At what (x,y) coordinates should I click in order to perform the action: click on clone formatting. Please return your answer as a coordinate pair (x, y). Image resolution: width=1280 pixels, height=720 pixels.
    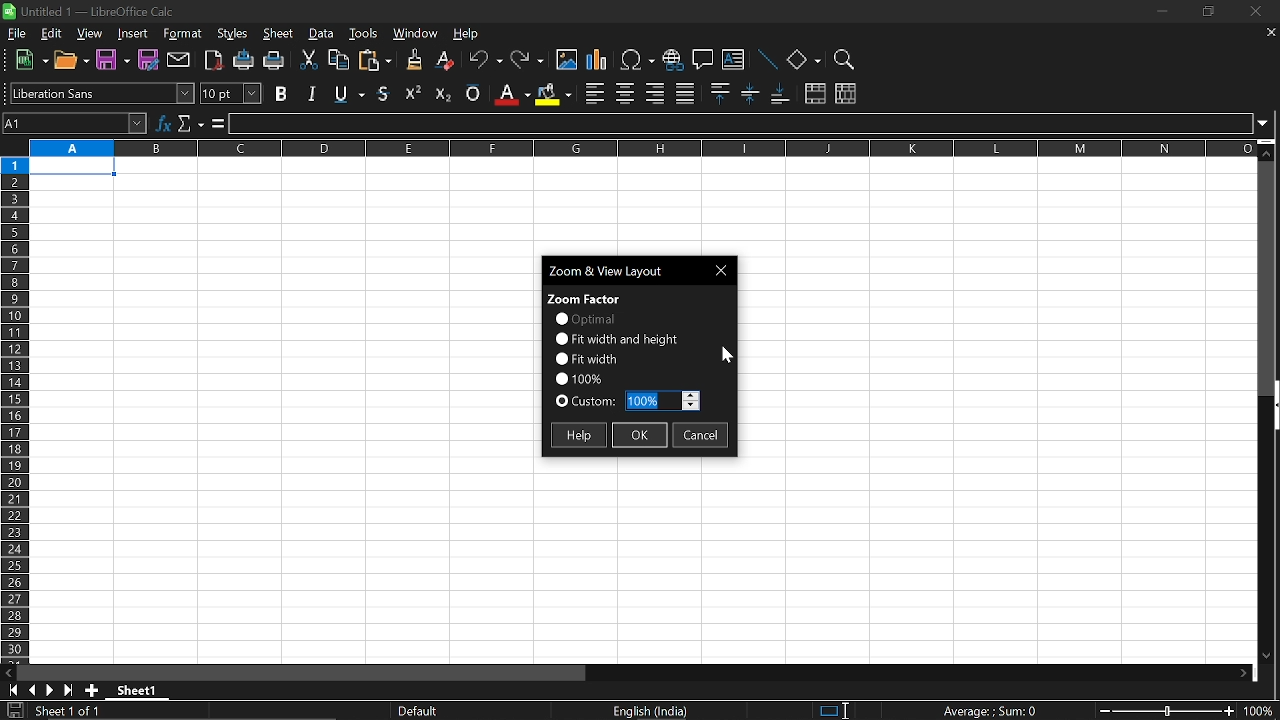
    Looking at the image, I should click on (410, 59).